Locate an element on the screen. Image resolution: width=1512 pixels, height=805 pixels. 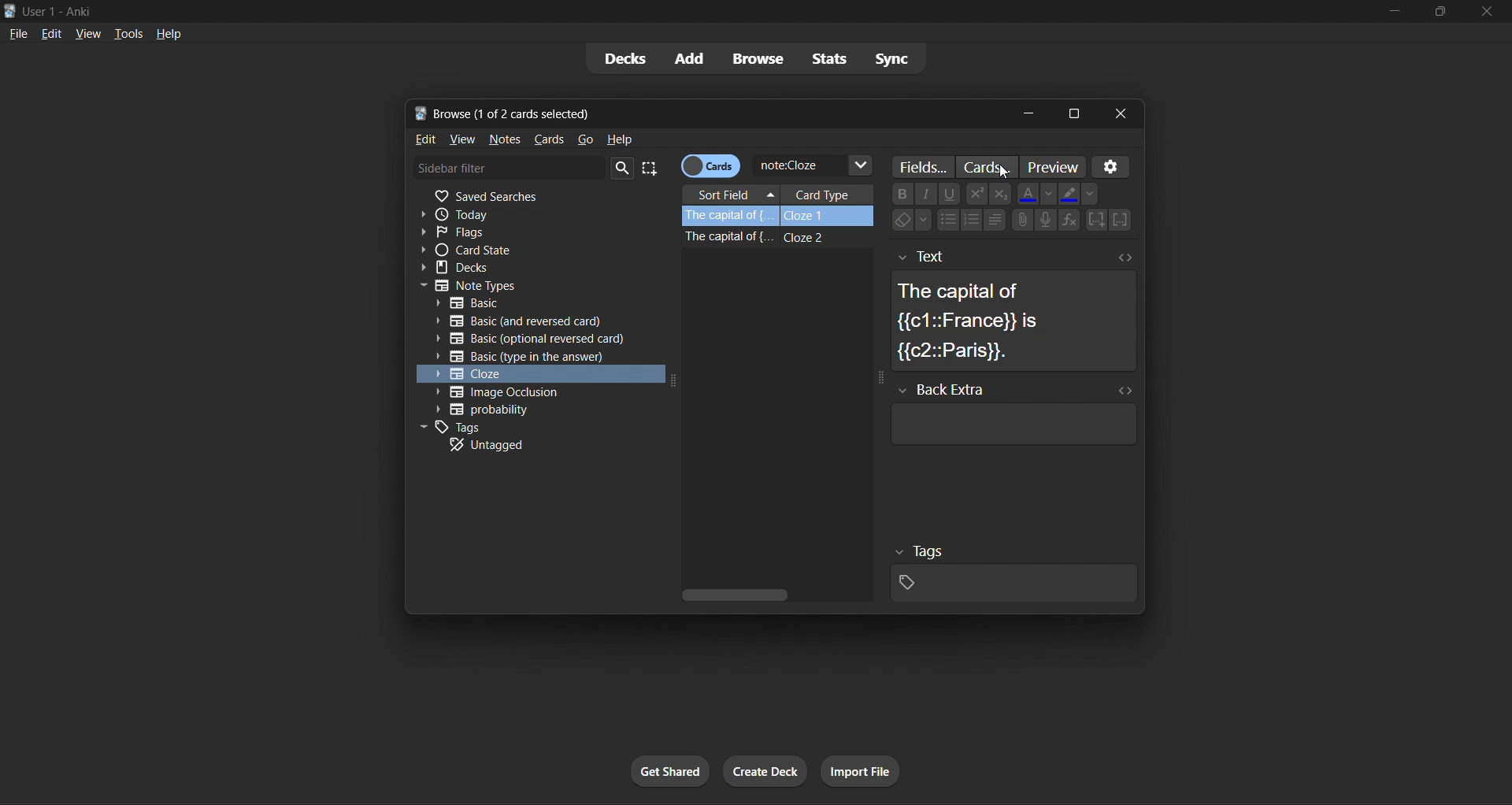
flags filter expand is located at coordinates (535, 233).